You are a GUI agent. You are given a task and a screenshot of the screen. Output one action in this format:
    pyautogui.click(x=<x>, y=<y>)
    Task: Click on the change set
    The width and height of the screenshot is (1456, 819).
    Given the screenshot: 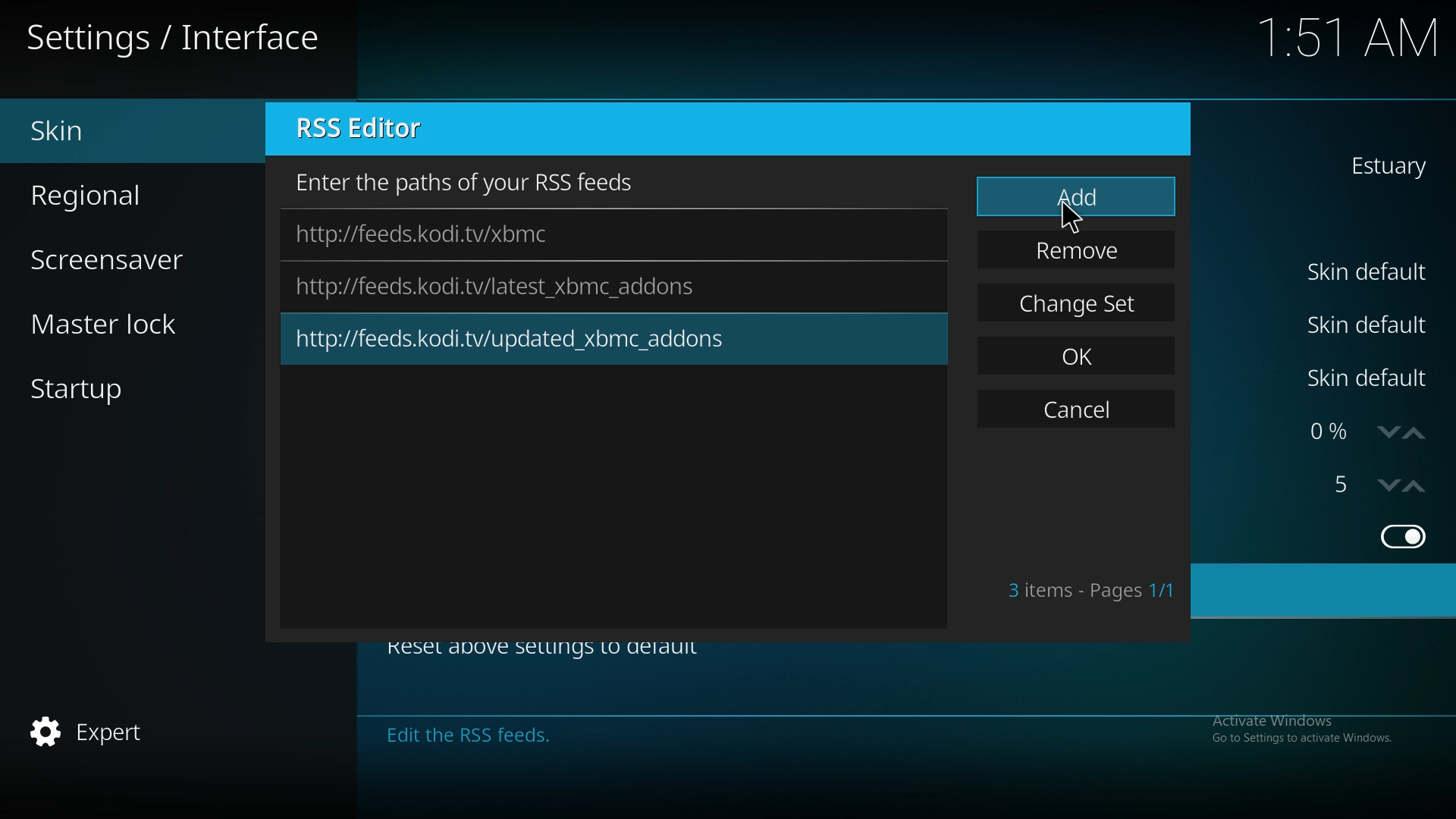 What is the action you would take?
    pyautogui.click(x=1078, y=303)
    